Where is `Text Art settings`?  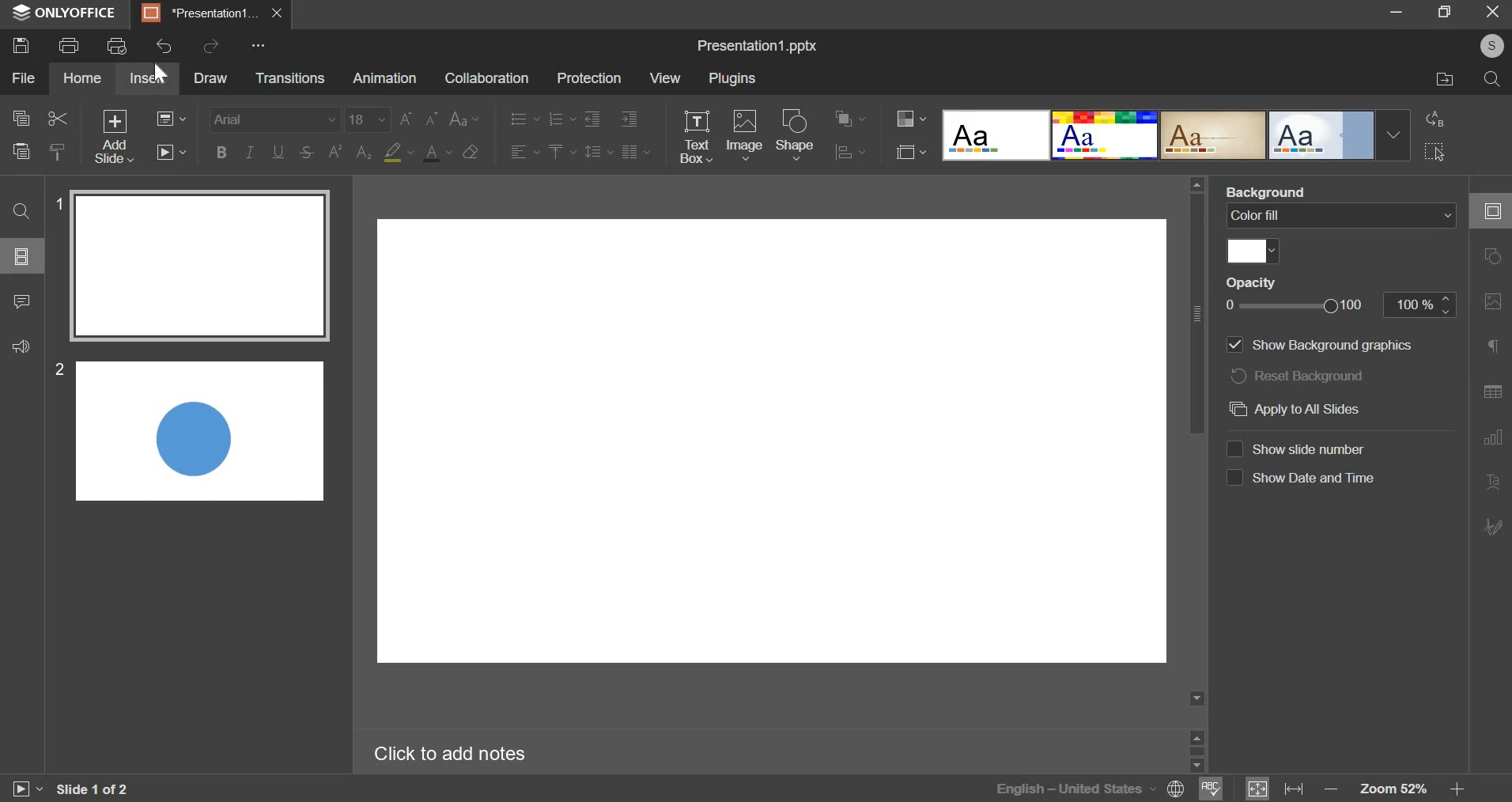 Text Art settings is located at coordinates (1495, 481).